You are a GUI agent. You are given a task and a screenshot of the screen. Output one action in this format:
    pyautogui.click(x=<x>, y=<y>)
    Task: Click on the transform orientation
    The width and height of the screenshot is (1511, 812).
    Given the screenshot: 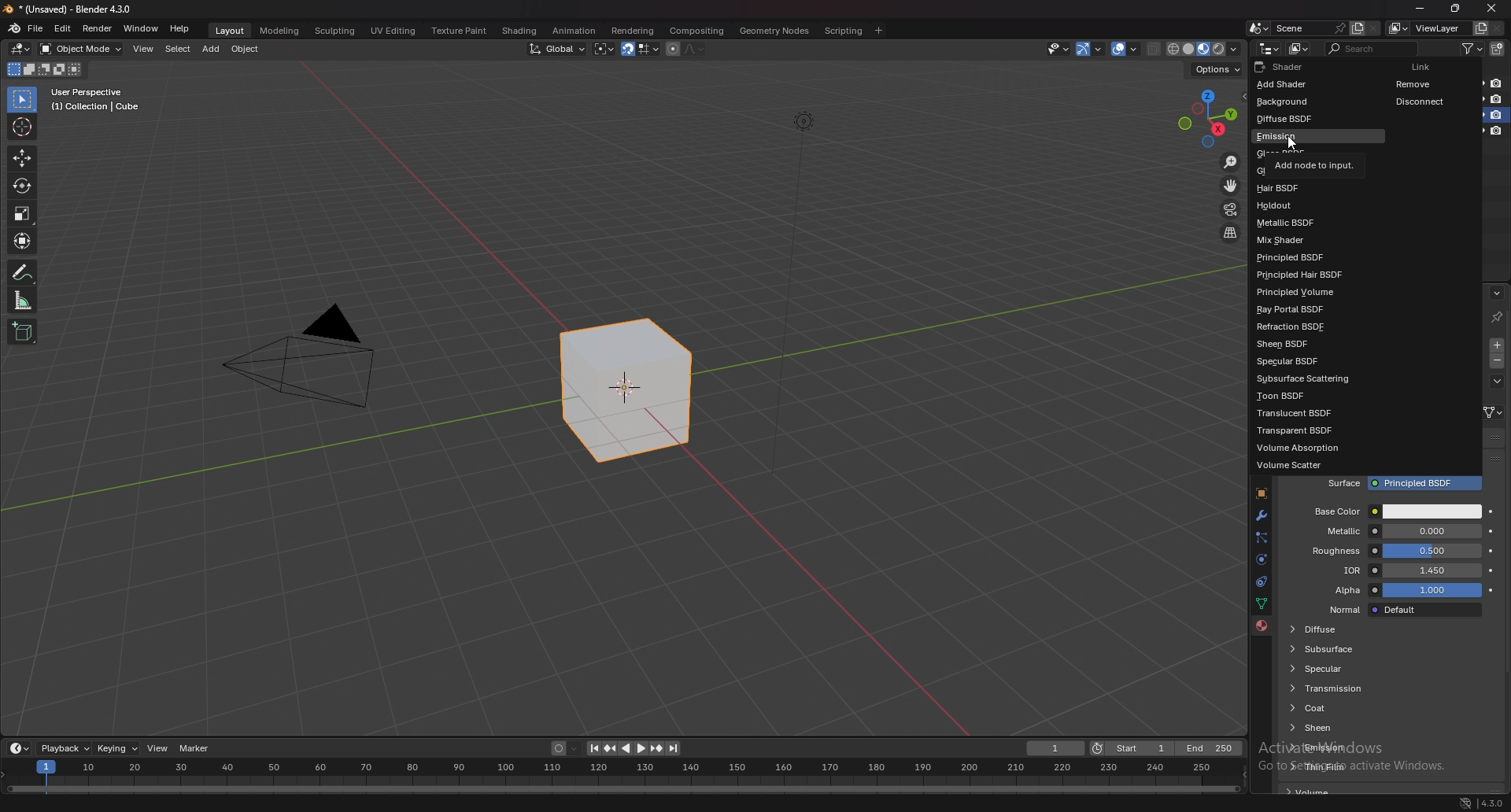 What is the action you would take?
    pyautogui.click(x=557, y=48)
    